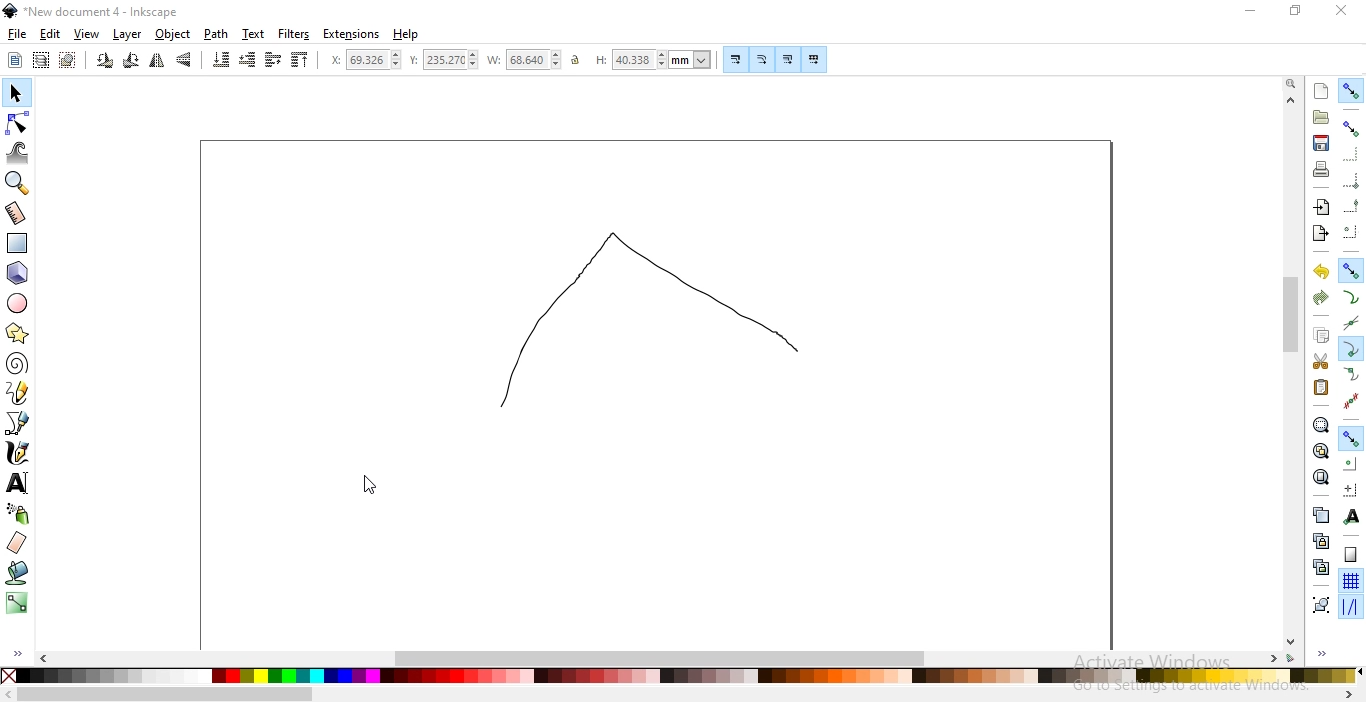 The image size is (1366, 702). Describe the element at coordinates (272, 60) in the screenshot. I see `raise selection one step` at that location.